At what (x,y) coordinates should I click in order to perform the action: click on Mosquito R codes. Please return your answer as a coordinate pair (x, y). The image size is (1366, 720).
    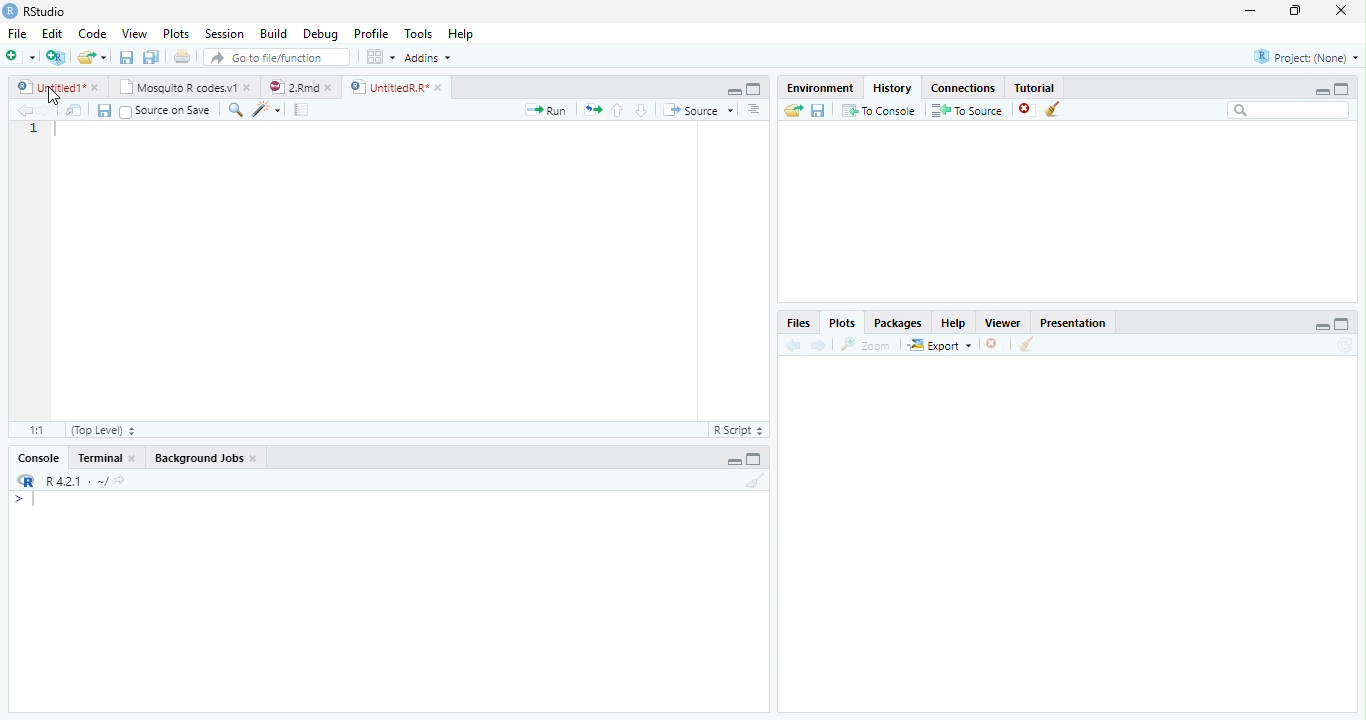
    Looking at the image, I should click on (184, 87).